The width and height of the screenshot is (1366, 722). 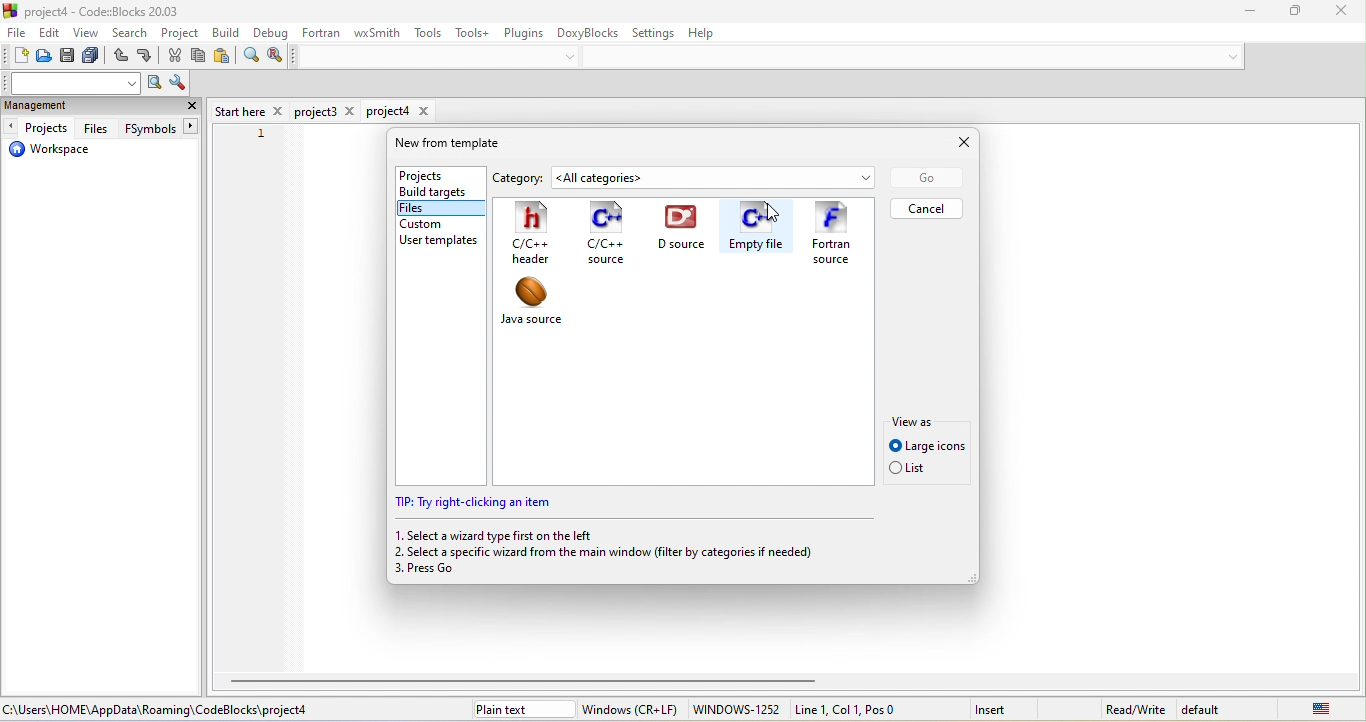 I want to click on all catagories, so click(x=718, y=178).